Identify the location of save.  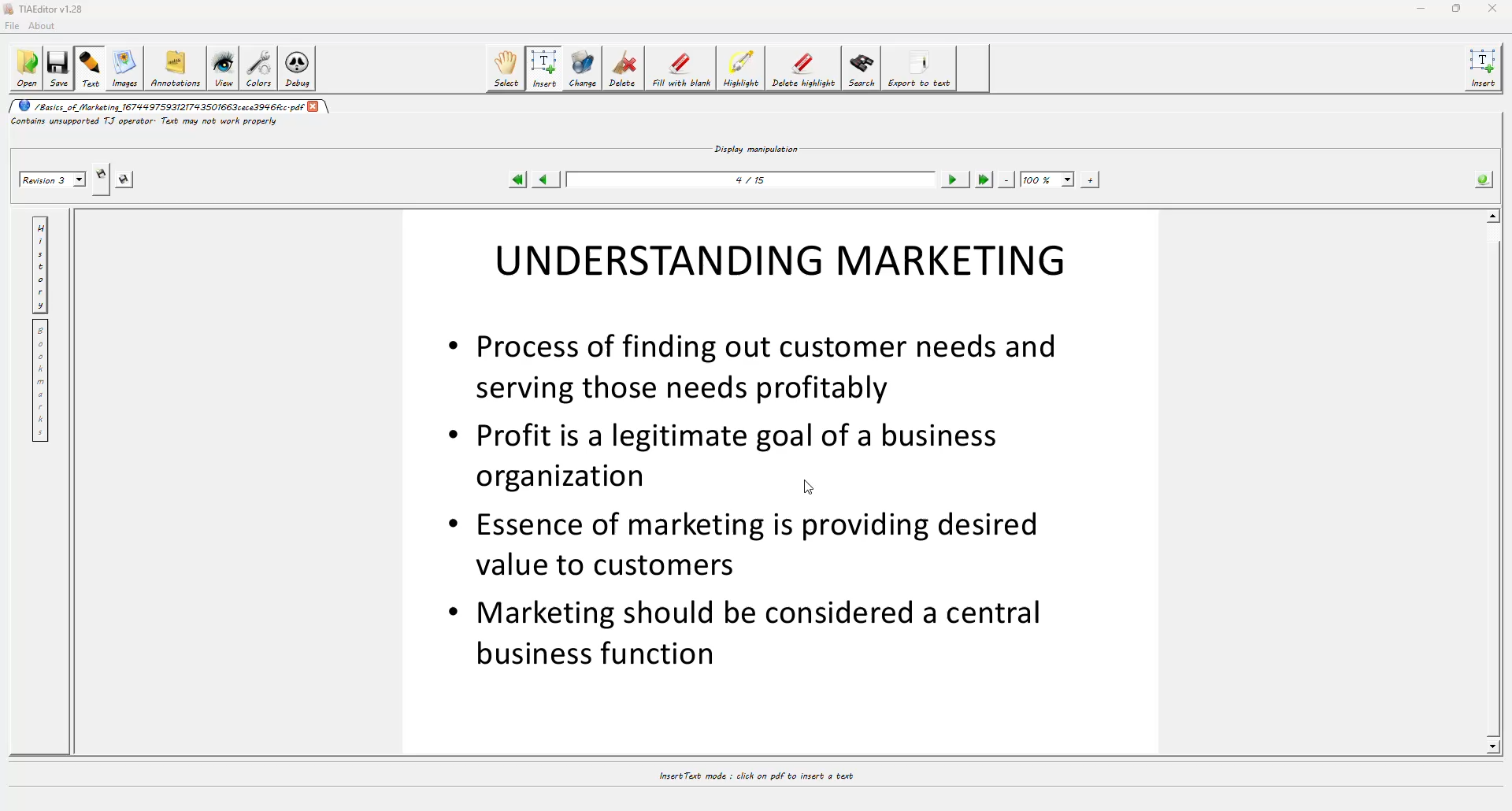
(61, 69).